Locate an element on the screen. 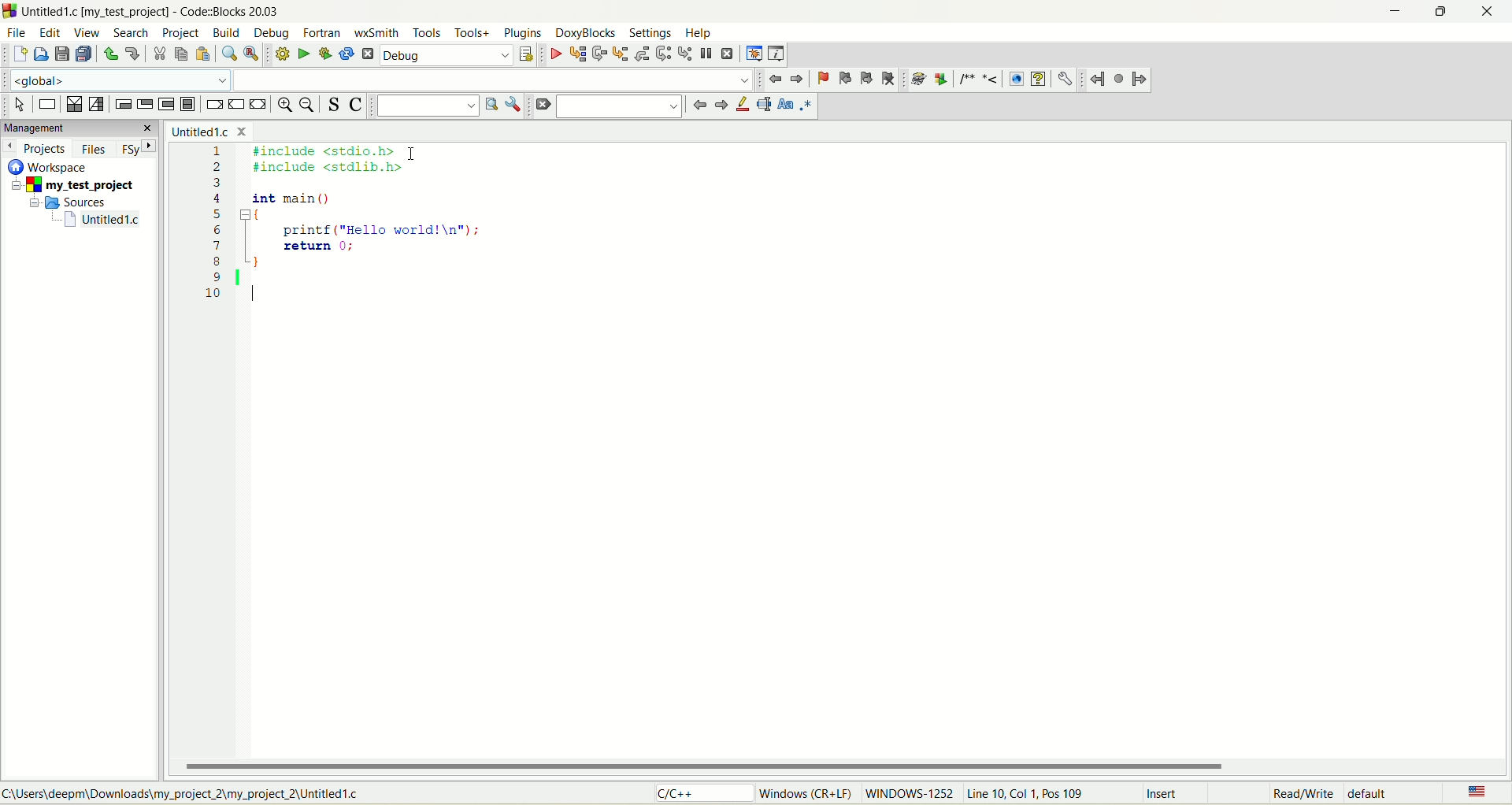 The width and height of the screenshot is (1512, 805). next bookmark is located at coordinates (868, 80).